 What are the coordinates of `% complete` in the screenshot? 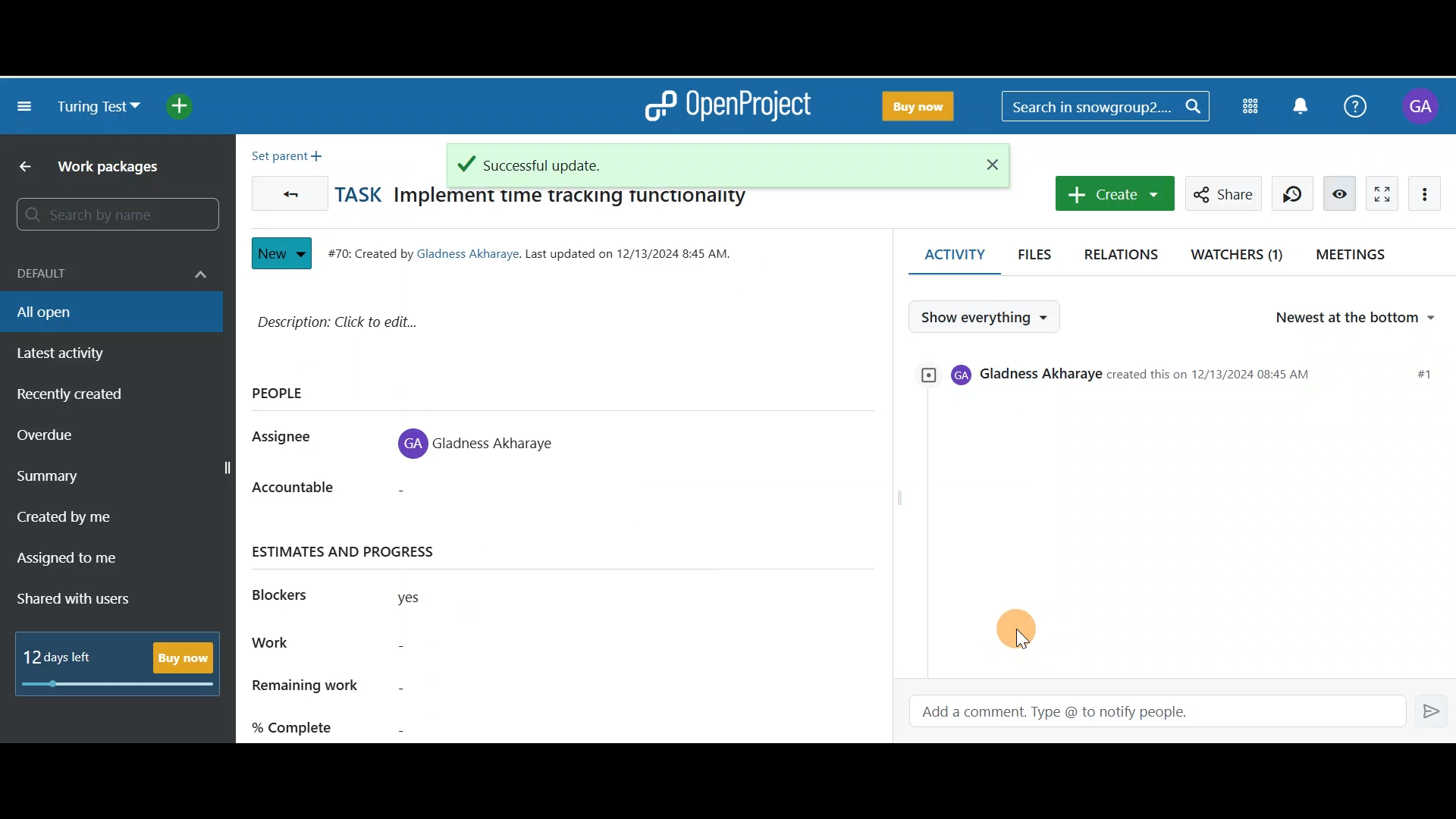 It's located at (404, 724).